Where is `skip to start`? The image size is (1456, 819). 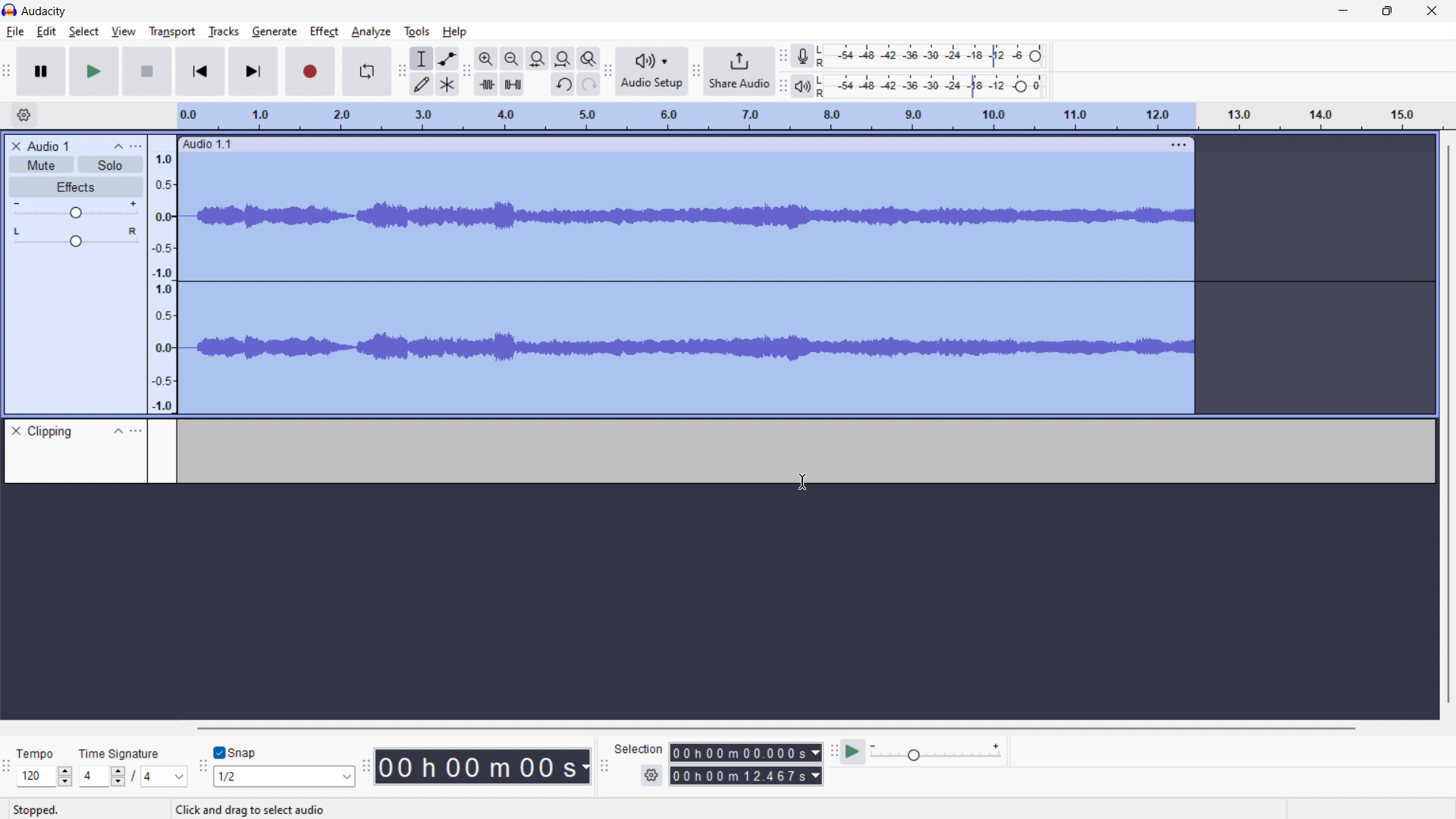
skip to start is located at coordinates (200, 71).